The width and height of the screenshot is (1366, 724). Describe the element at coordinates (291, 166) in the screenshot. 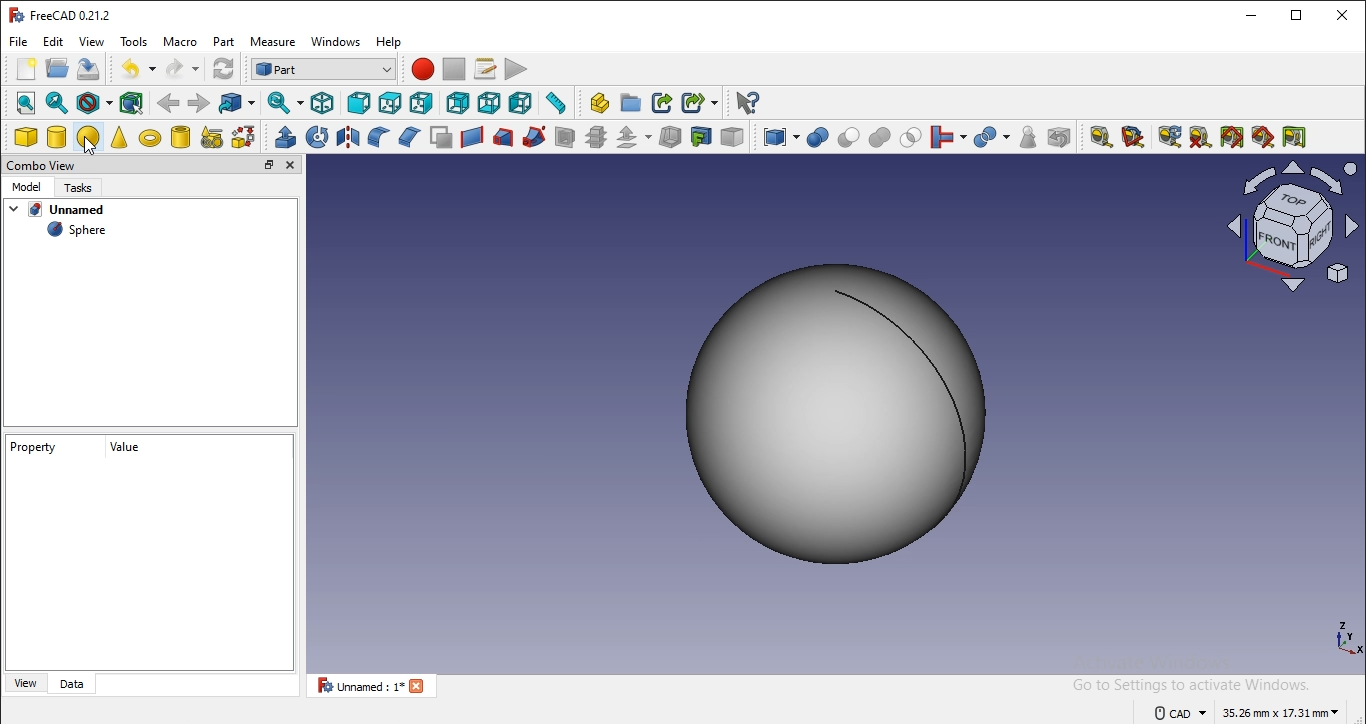

I see `close` at that location.